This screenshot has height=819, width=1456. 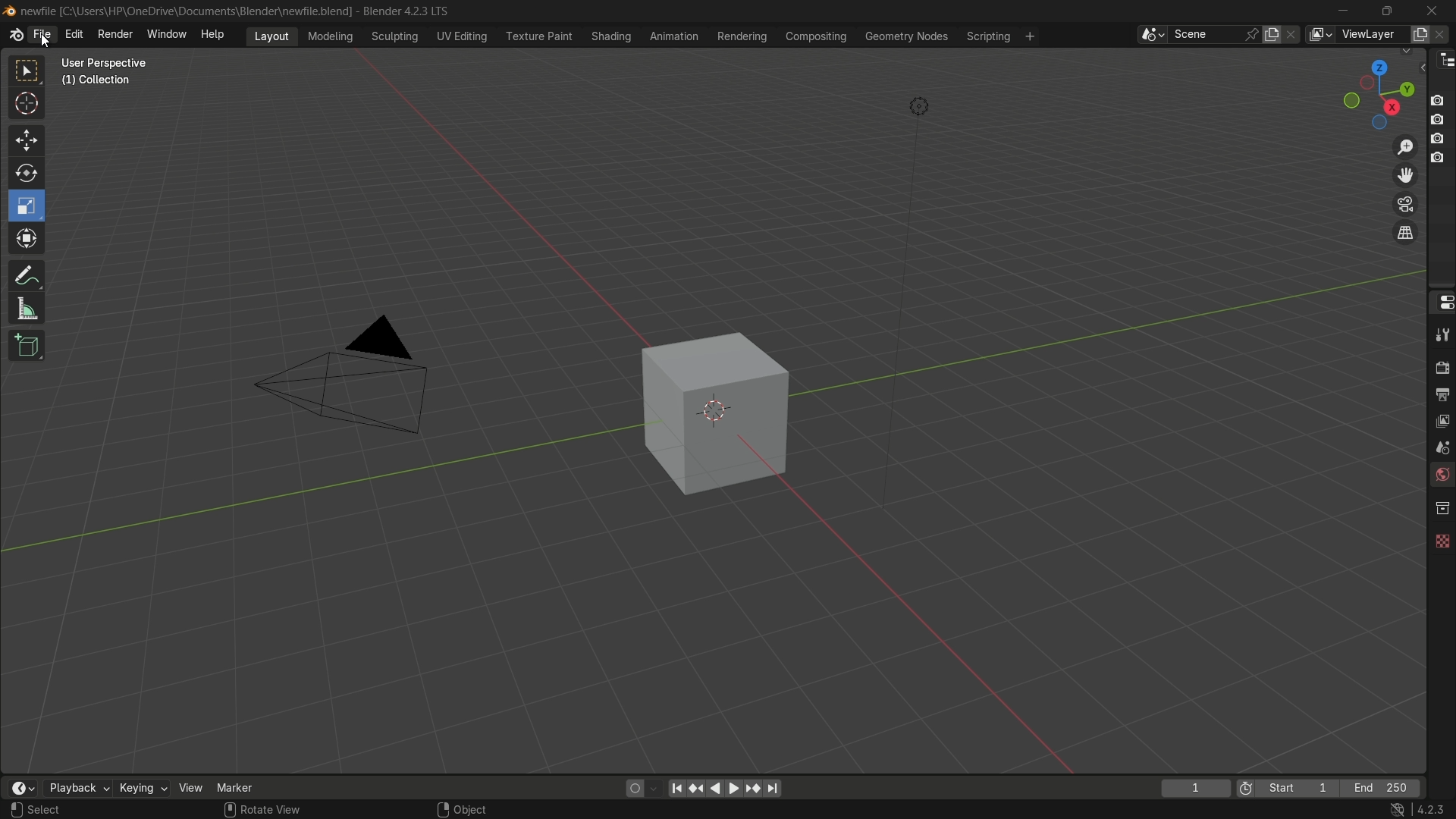 I want to click on add view layer, so click(x=1418, y=33).